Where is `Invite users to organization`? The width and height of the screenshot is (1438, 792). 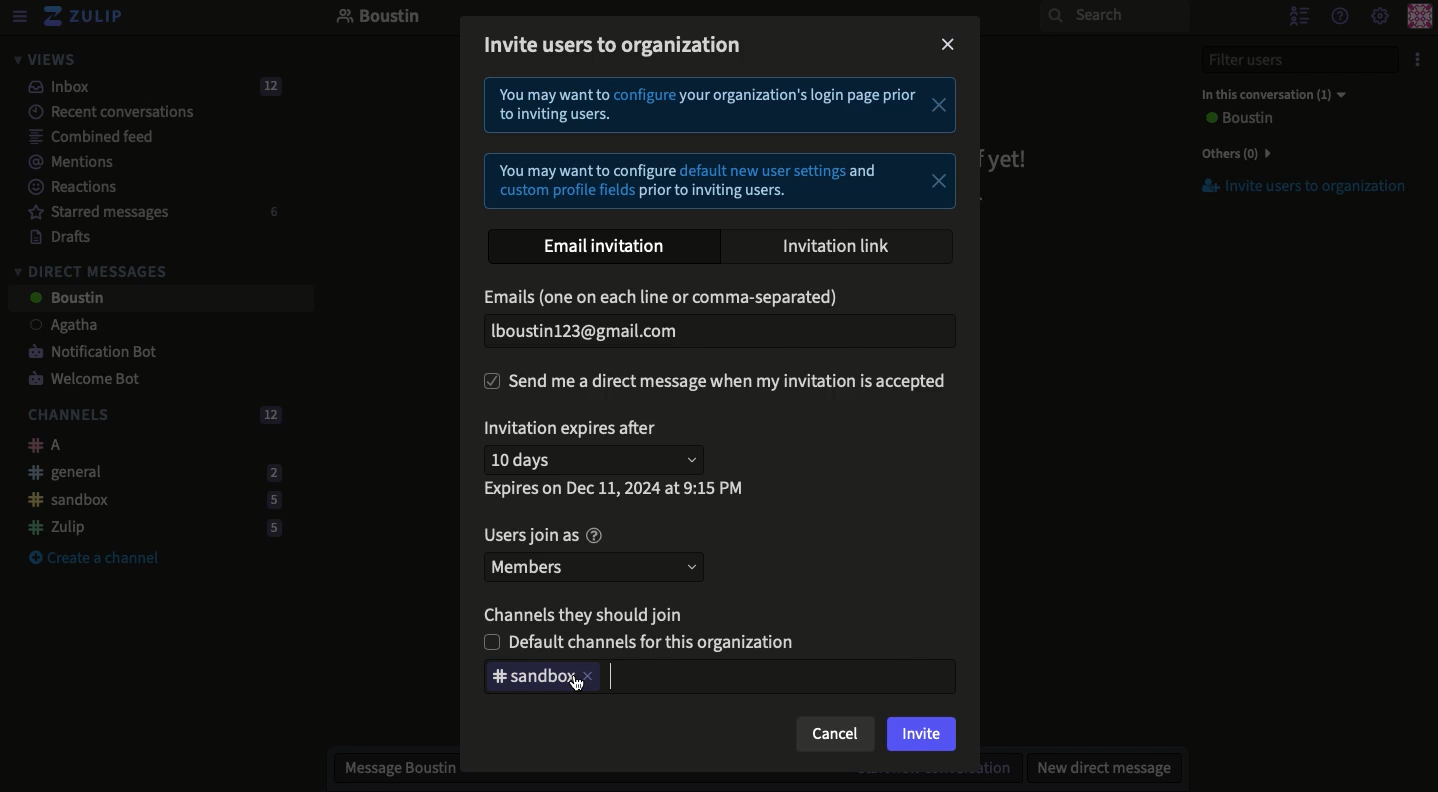 Invite users to organization is located at coordinates (1293, 187).